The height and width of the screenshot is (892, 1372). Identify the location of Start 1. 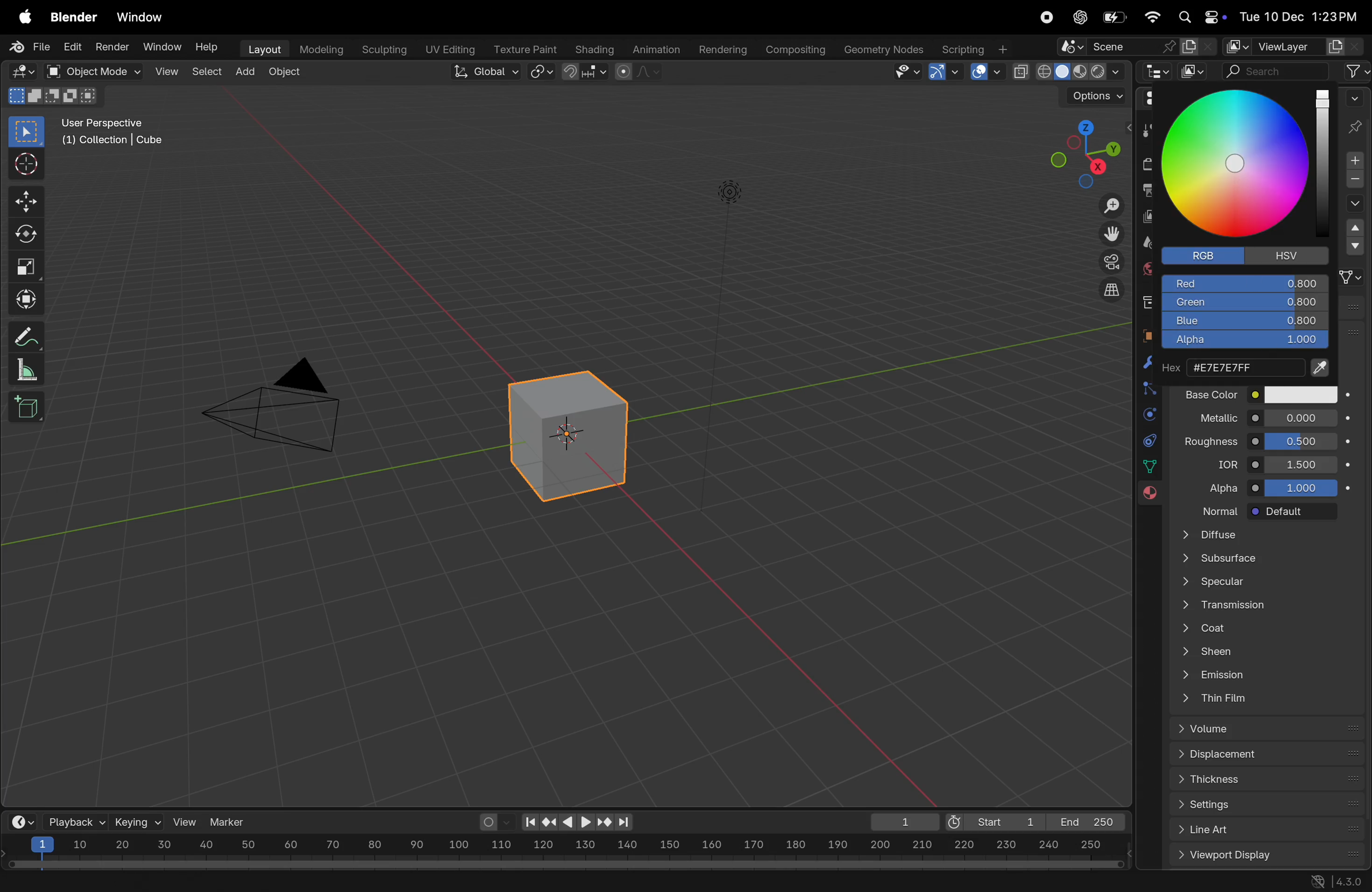
(993, 820).